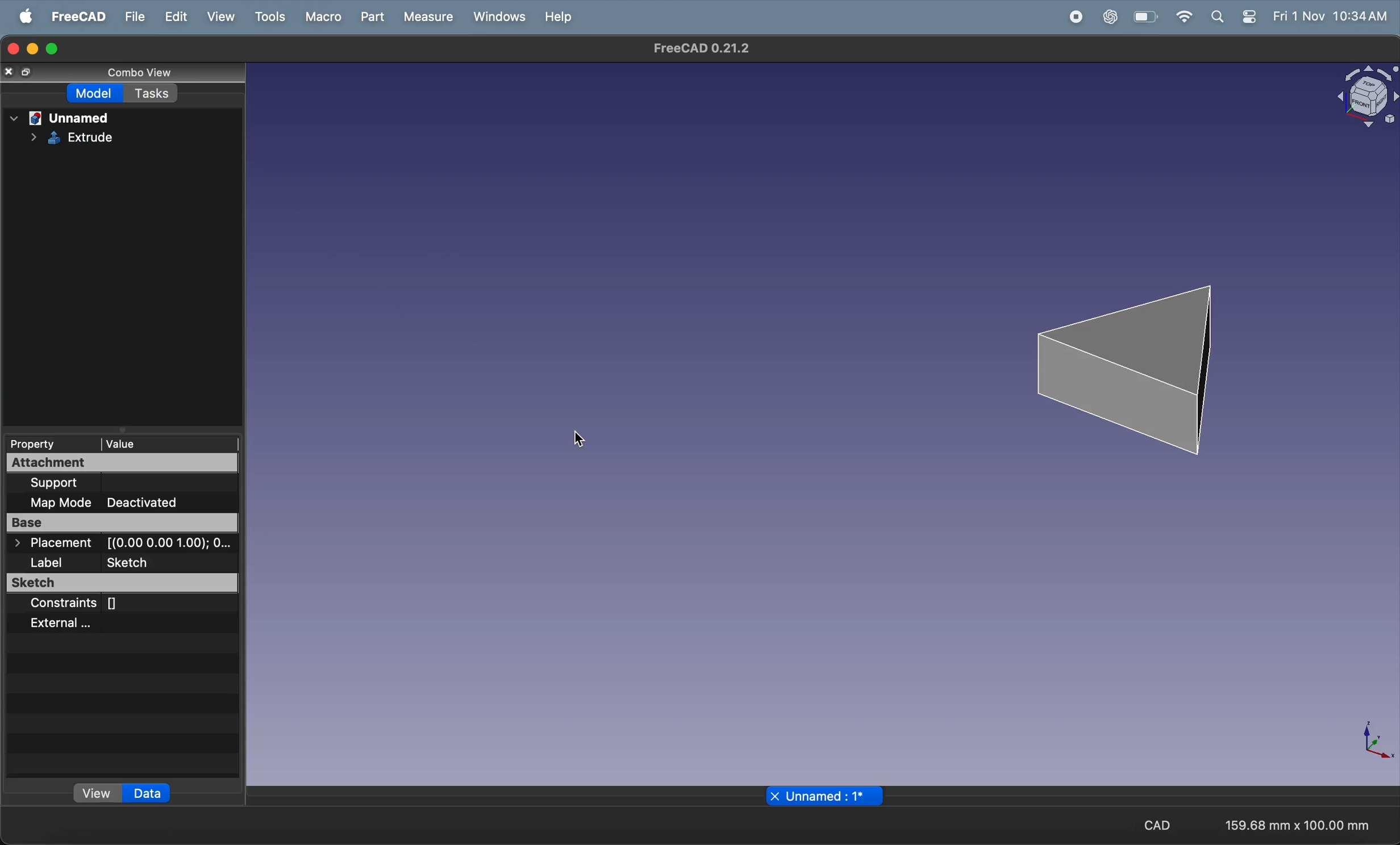 The image size is (1400, 845). What do you see at coordinates (1330, 17) in the screenshot?
I see `Fri 1 Nov 10:34 AM` at bounding box center [1330, 17].